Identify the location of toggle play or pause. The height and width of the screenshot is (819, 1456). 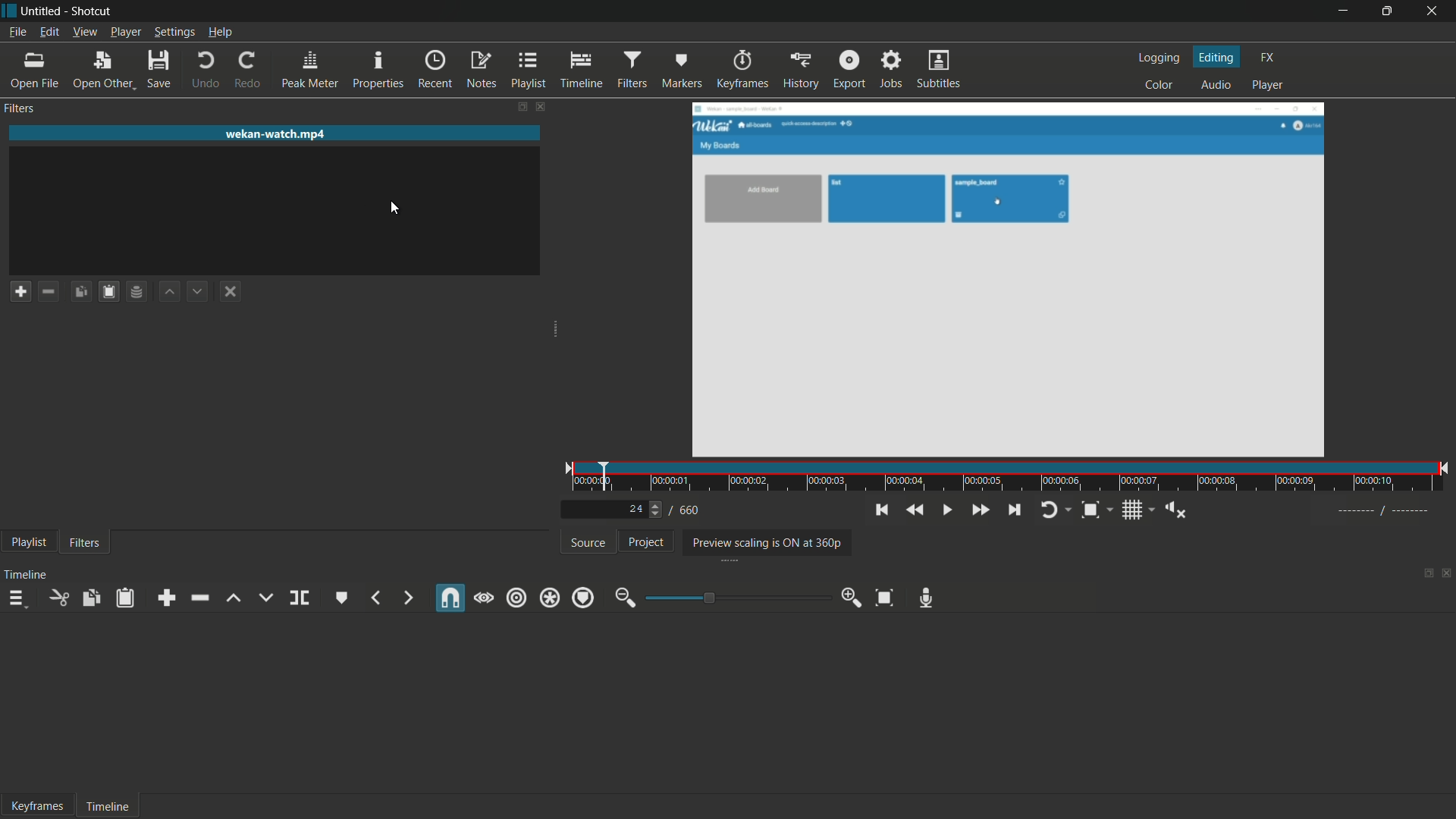
(948, 510).